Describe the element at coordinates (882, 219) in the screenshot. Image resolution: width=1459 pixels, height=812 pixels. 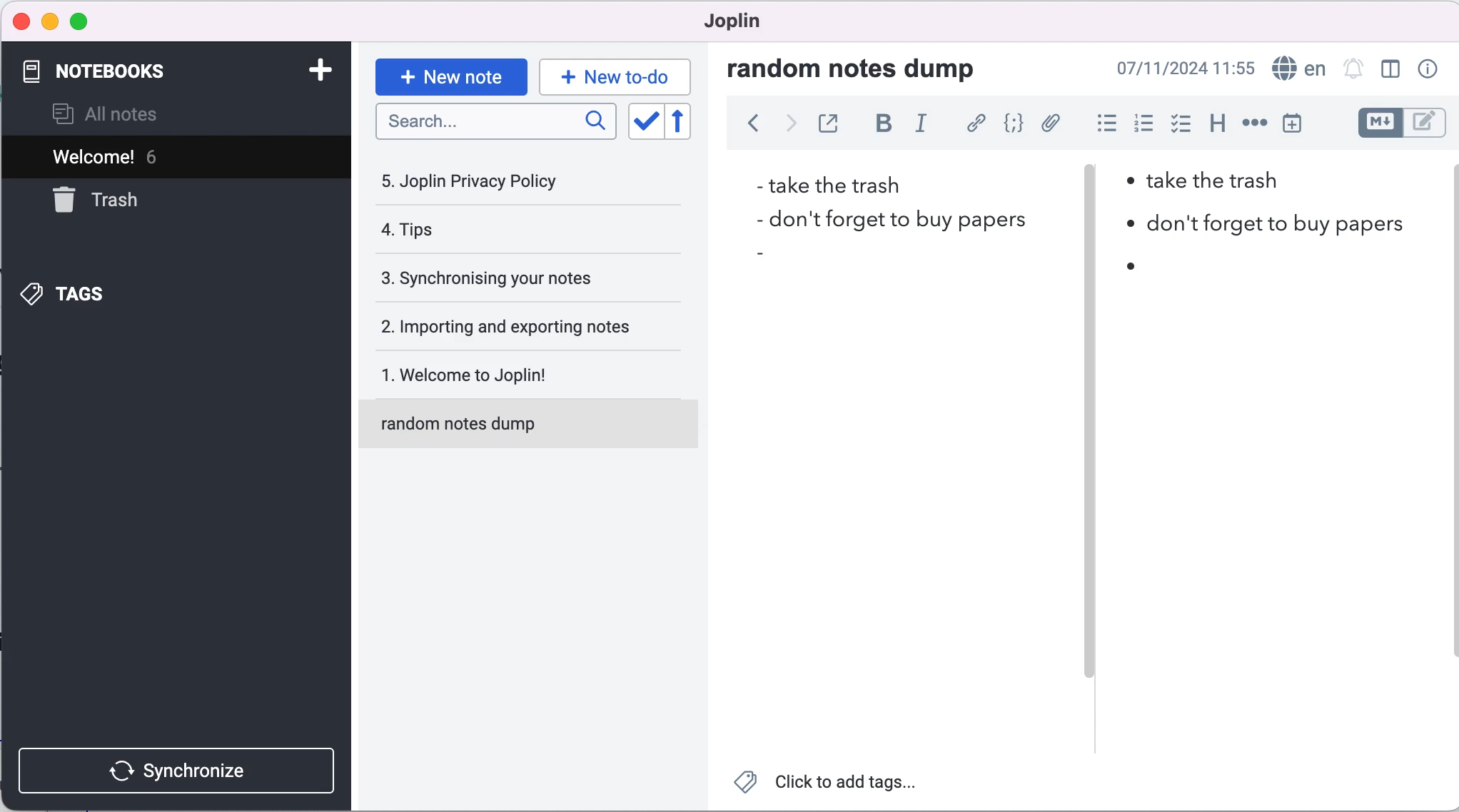
I see `don't forget to buy papers` at that location.